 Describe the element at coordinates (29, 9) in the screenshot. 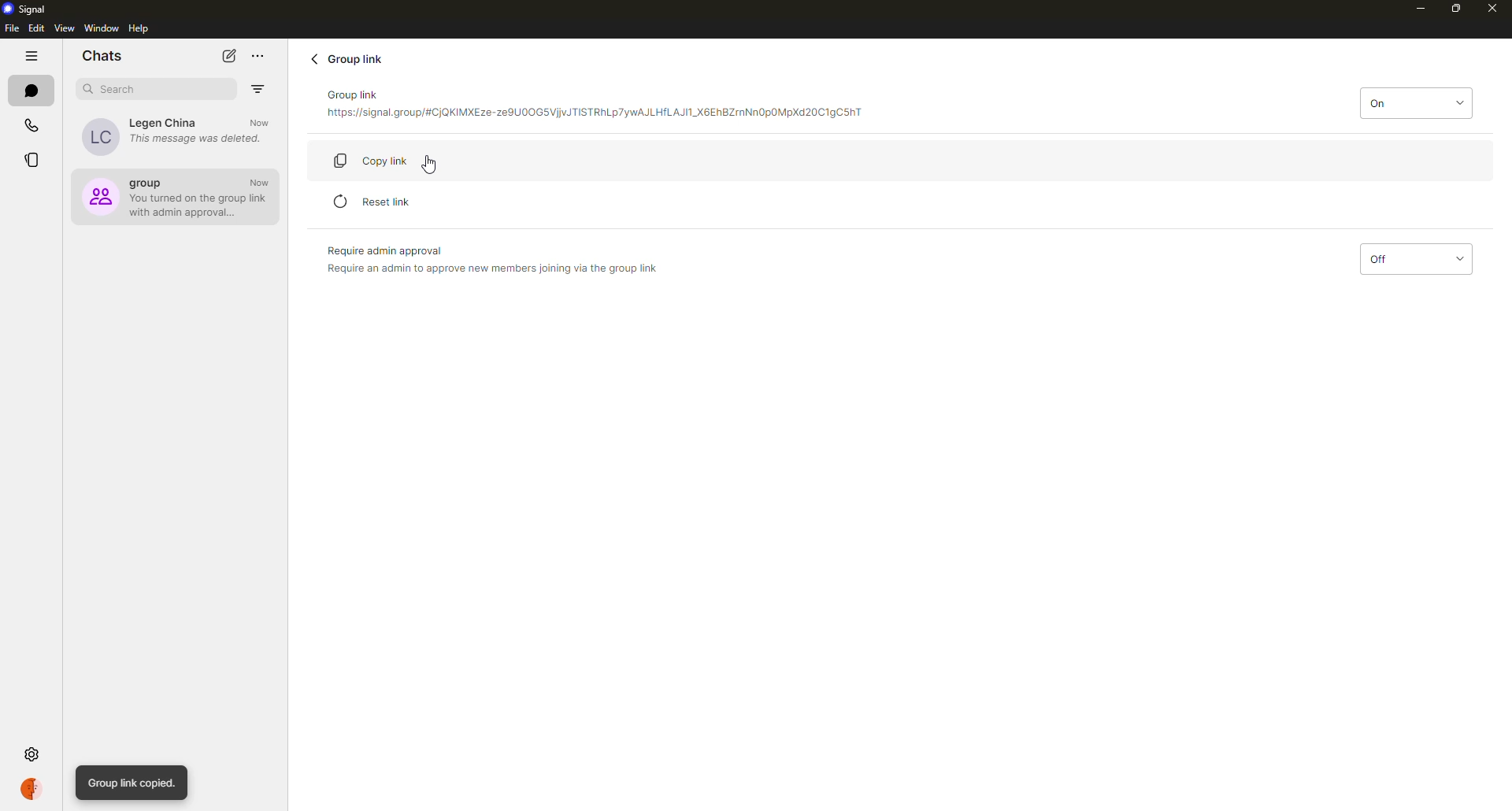

I see `signal` at that location.